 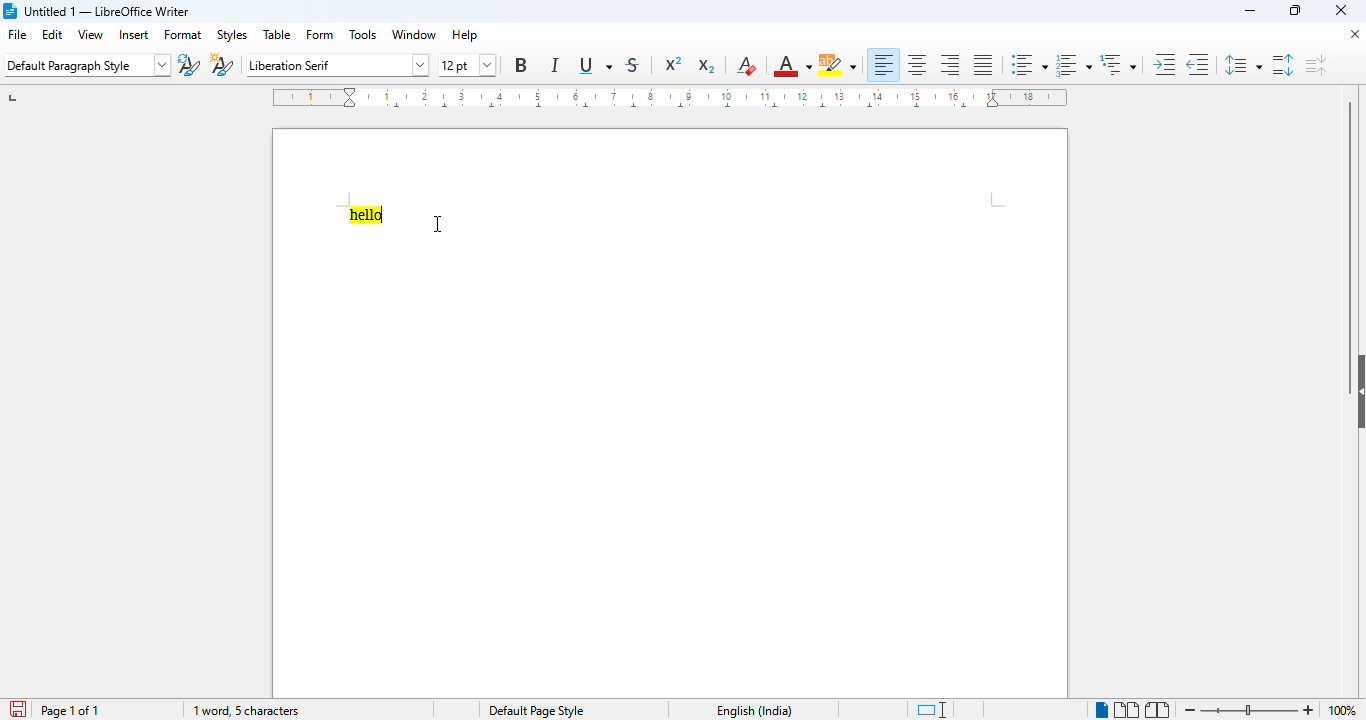 What do you see at coordinates (183, 34) in the screenshot?
I see `format` at bounding box center [183, 34].